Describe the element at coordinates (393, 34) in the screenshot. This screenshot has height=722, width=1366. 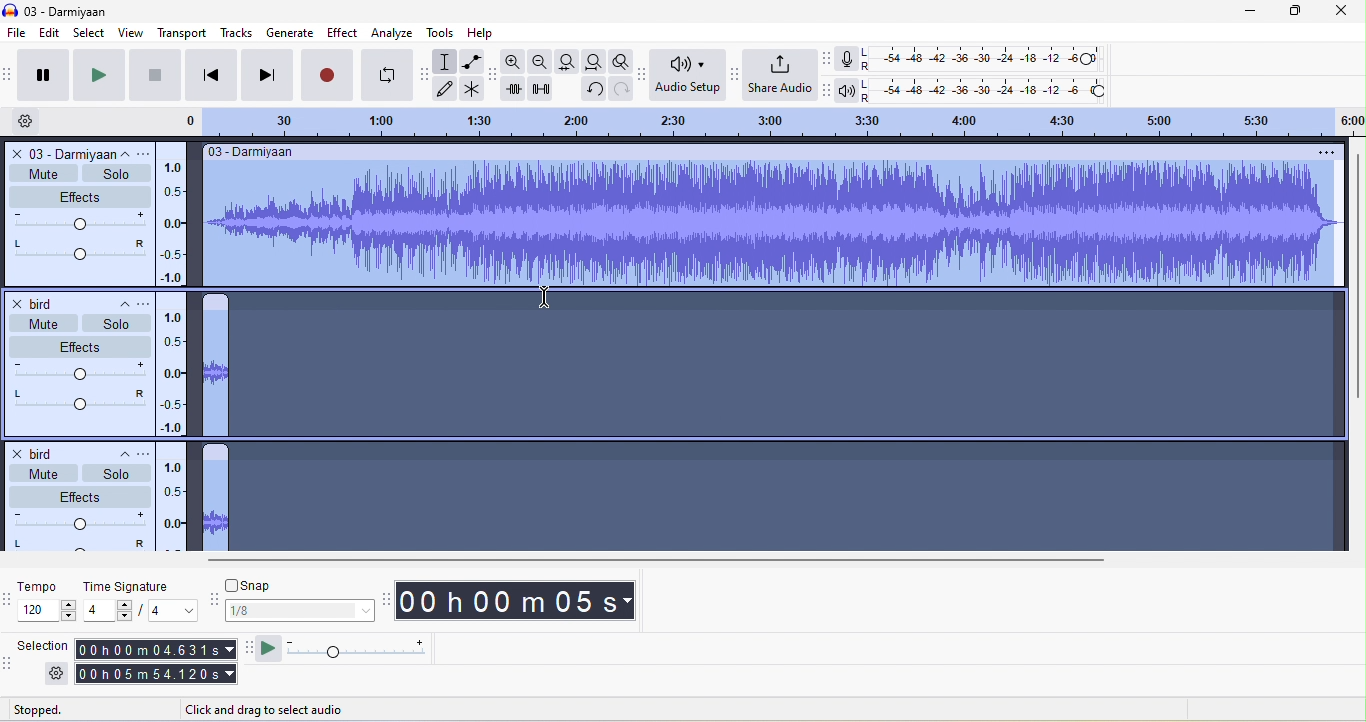
I see `analyze` at that location.